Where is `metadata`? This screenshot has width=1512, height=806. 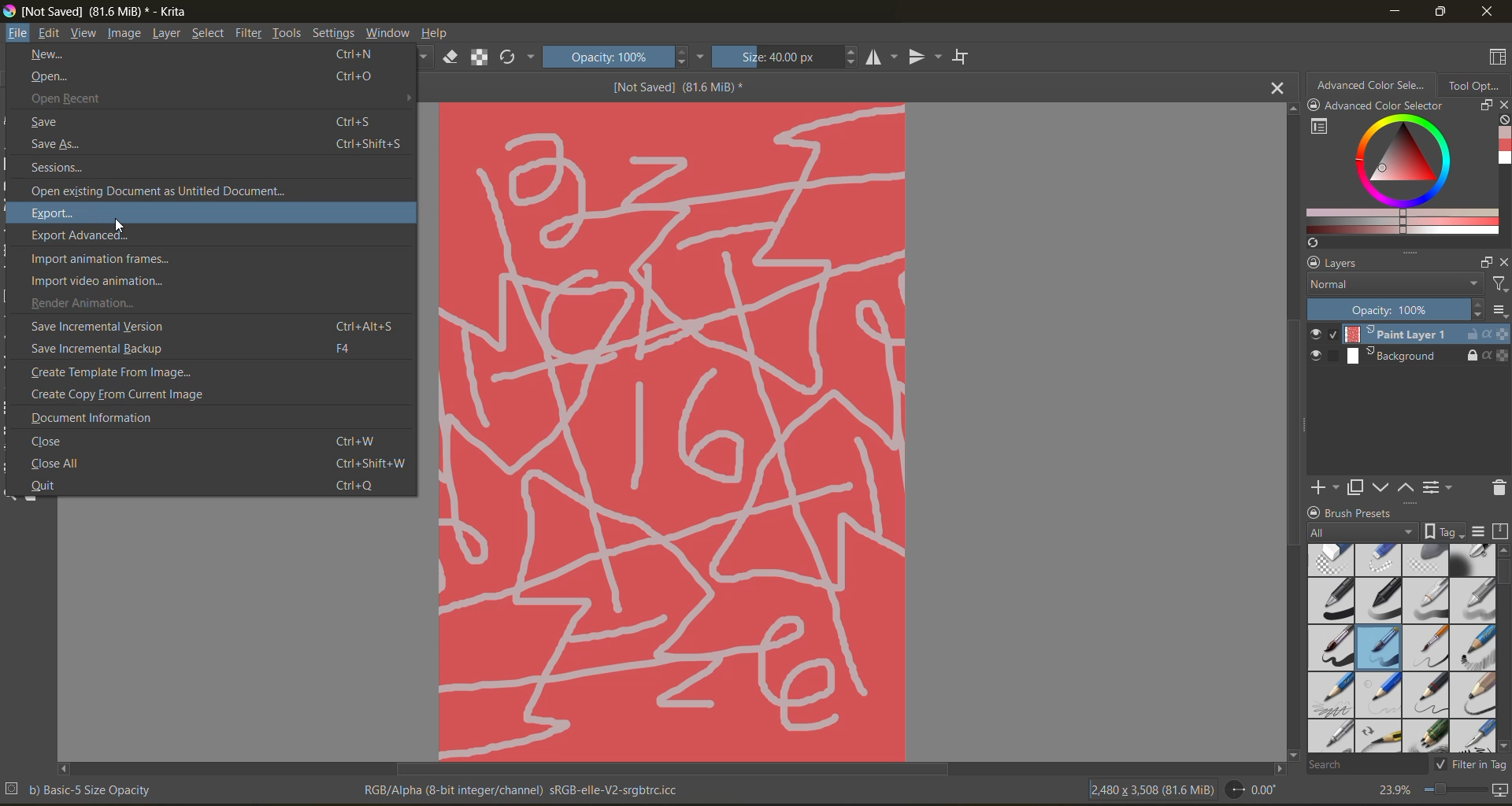
metadata is located at coordinates (524, 790).